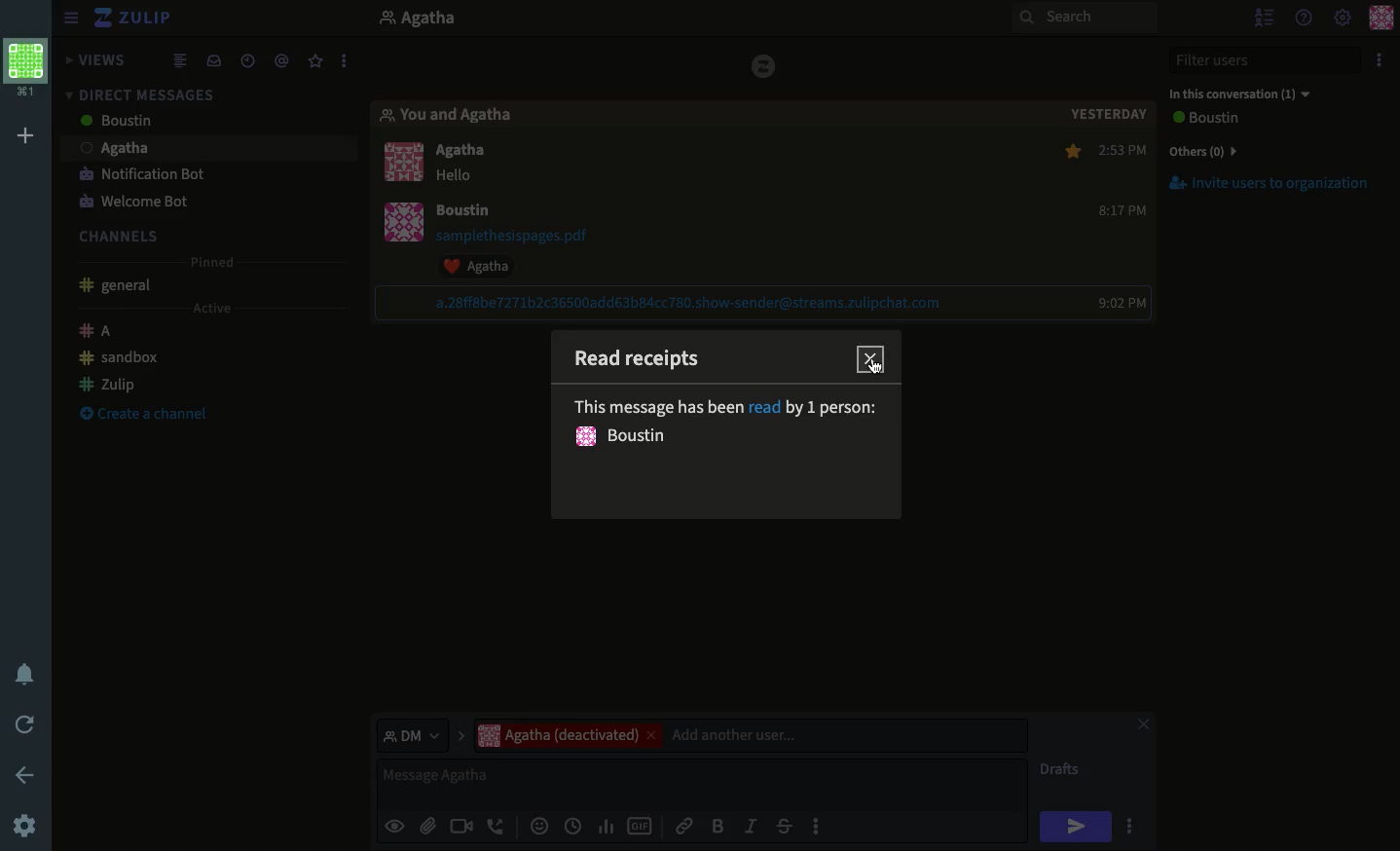 This screenshot has width=1400, height=851. Describe the element at coordinates (427, 825) in the screenshot. I see `File attachment` at that location.